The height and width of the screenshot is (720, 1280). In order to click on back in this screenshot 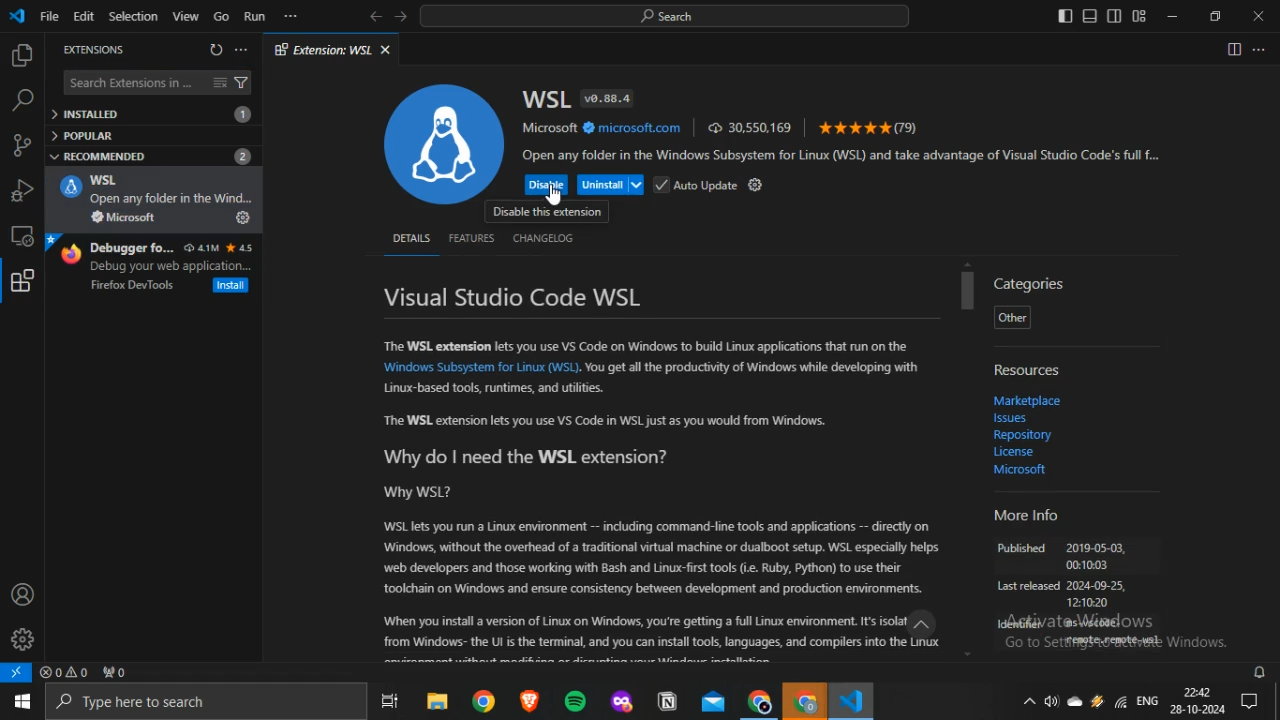, I will do `click(376, 16)`.